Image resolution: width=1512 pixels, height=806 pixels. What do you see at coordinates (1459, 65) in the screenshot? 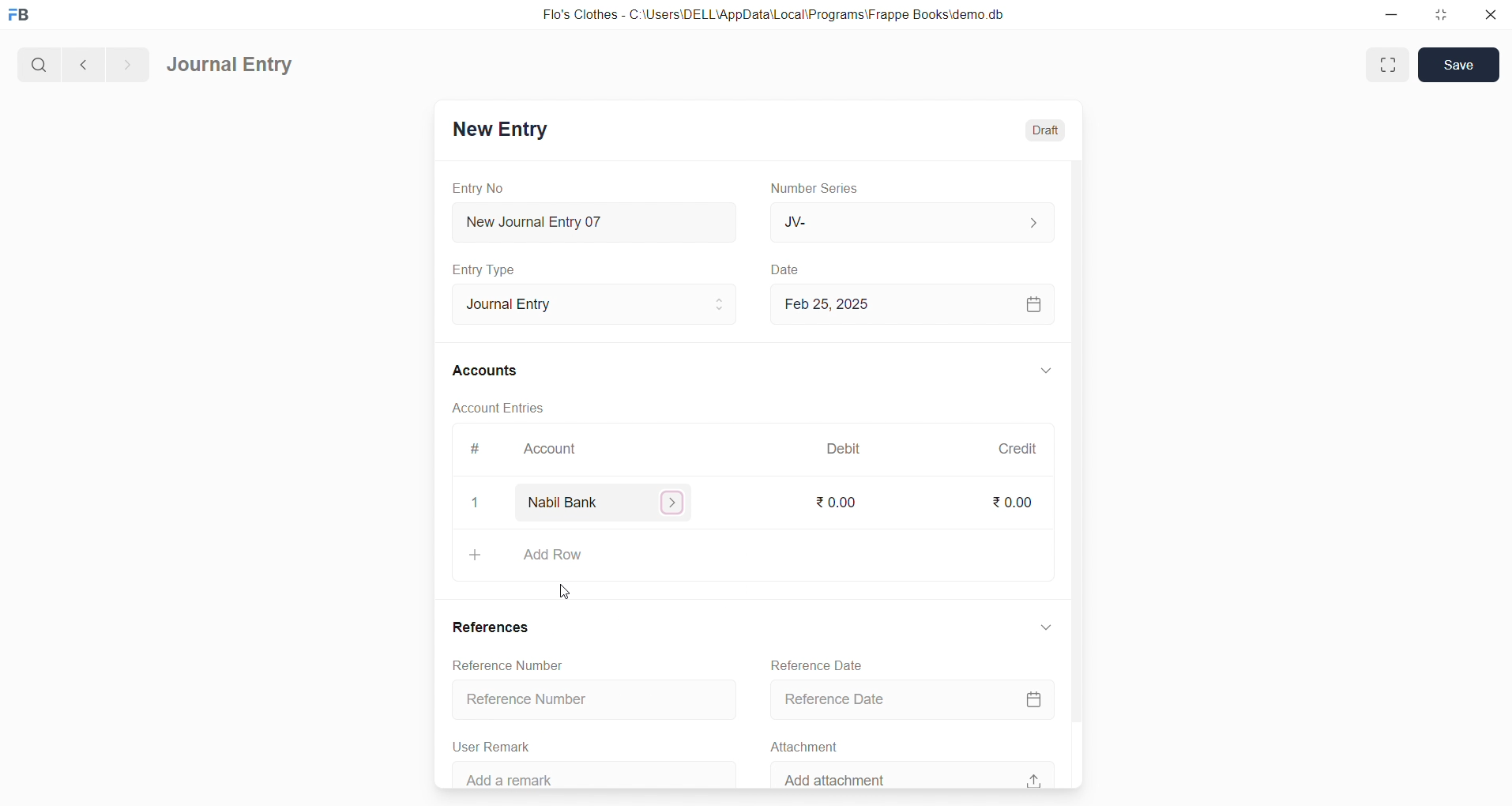
I see `Save` at bounding box center [1459, 65].